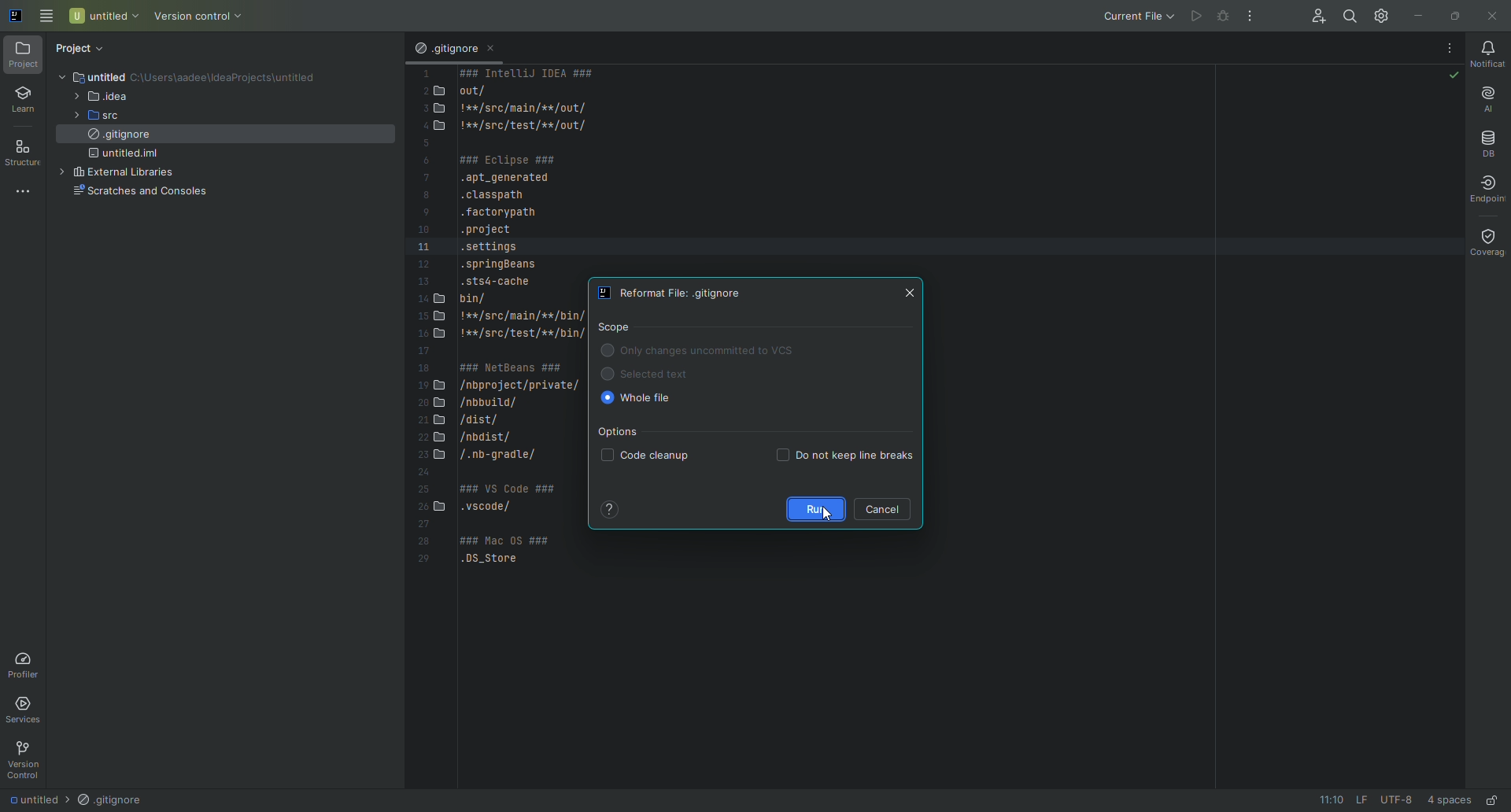  I want to click on Verified, so click(1452, 76).